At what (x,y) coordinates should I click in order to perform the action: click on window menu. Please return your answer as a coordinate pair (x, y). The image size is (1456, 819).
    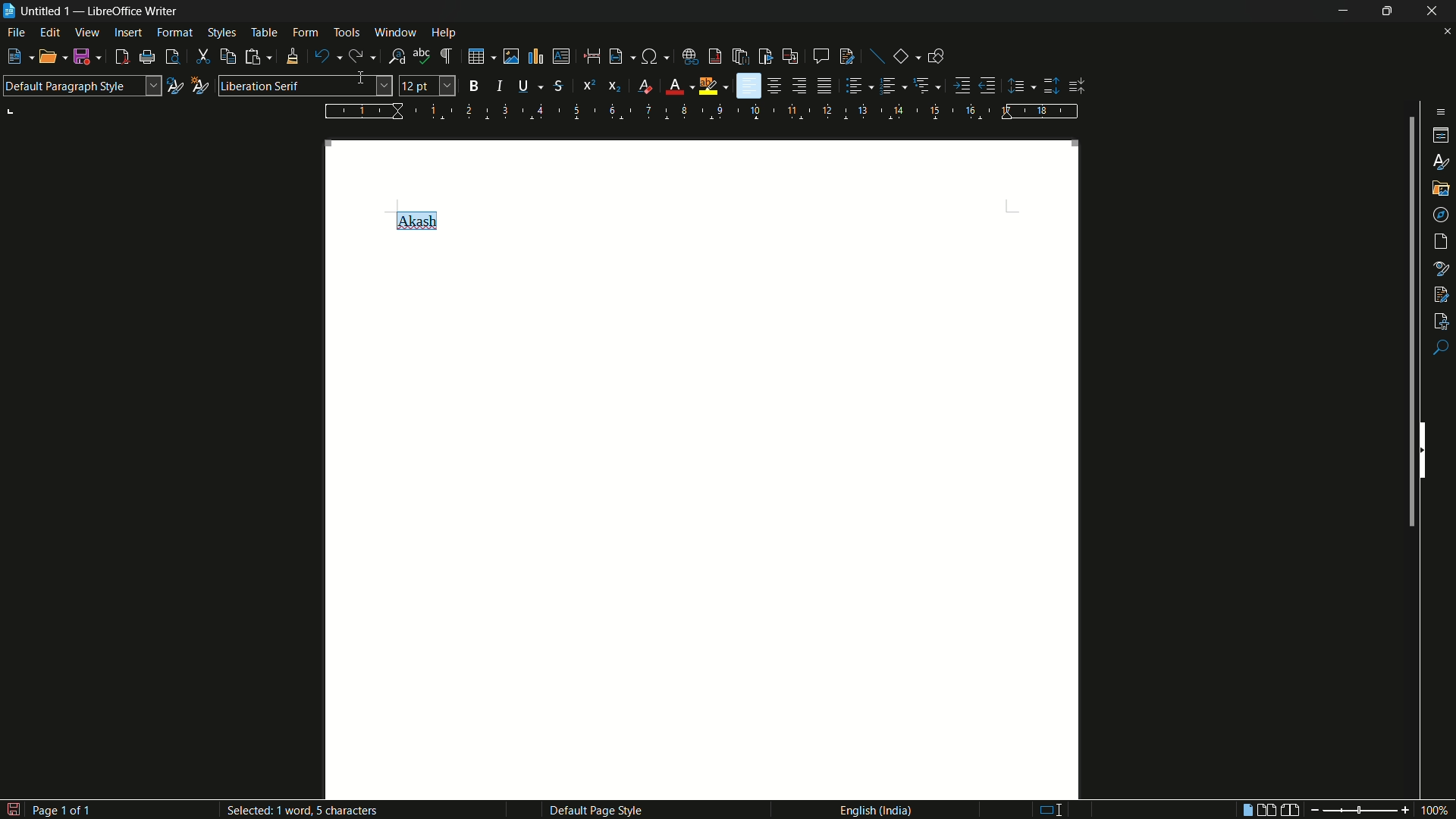
    Looking at the image, I should click on (396, 32).